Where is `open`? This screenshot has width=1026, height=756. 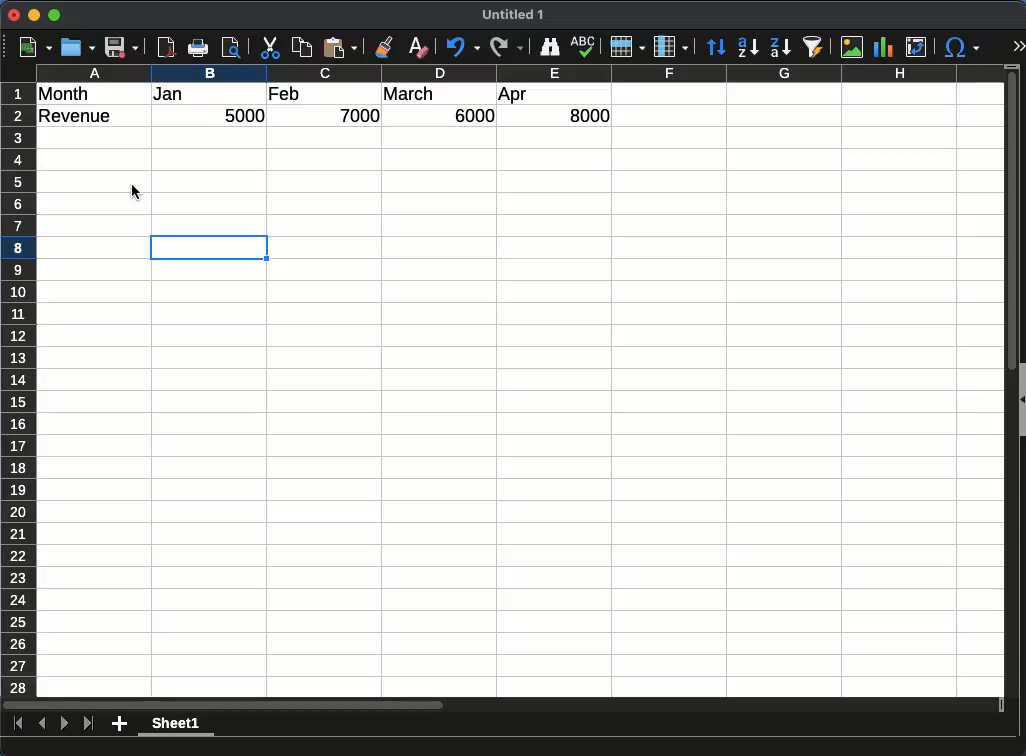 open is located at coordinates (78, 47).